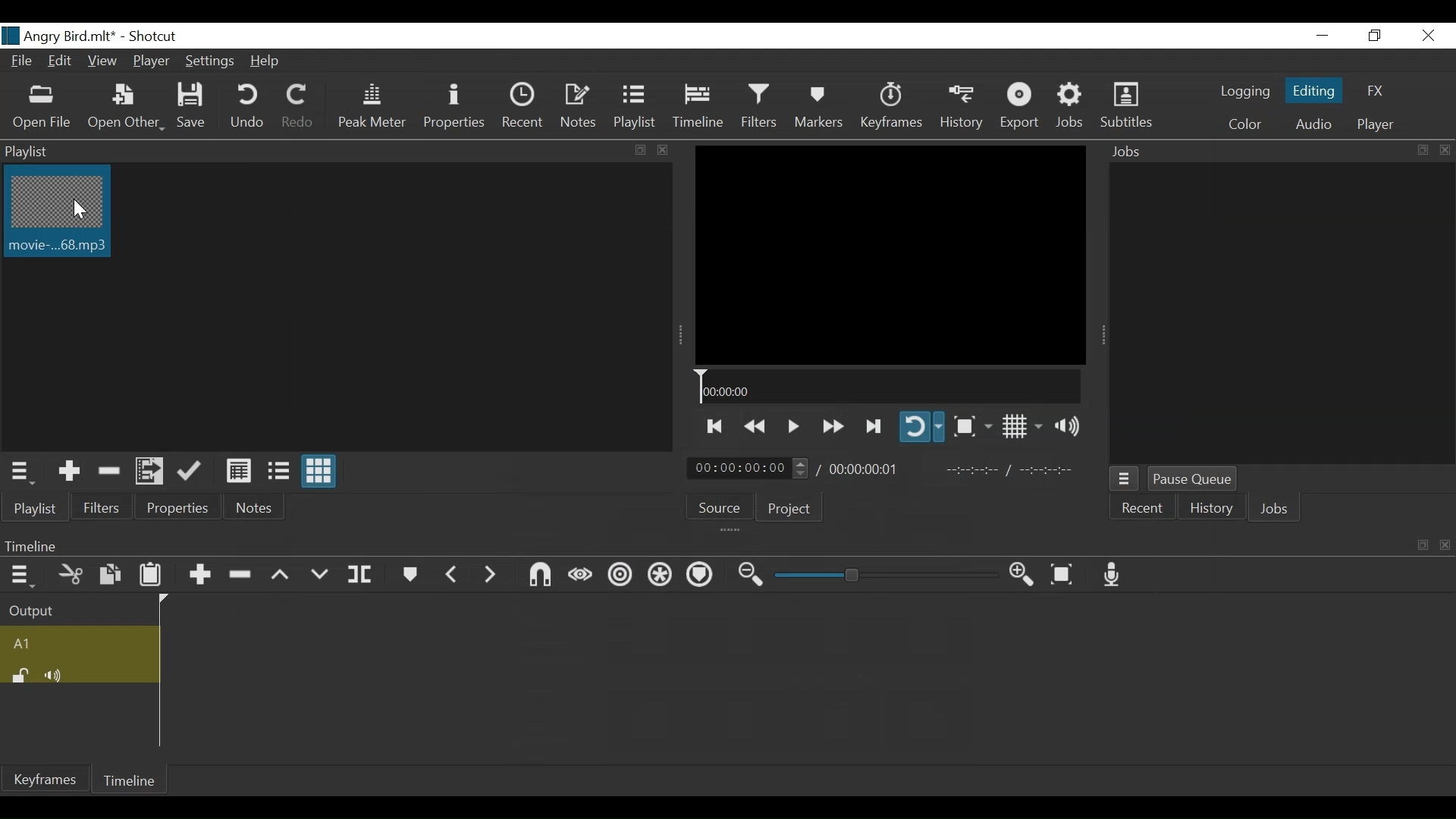 The width and height of the screenshot is (1456, 819). Describe the element at coordinates (1243, 93) in the screenshot. I see `logging` at that location.